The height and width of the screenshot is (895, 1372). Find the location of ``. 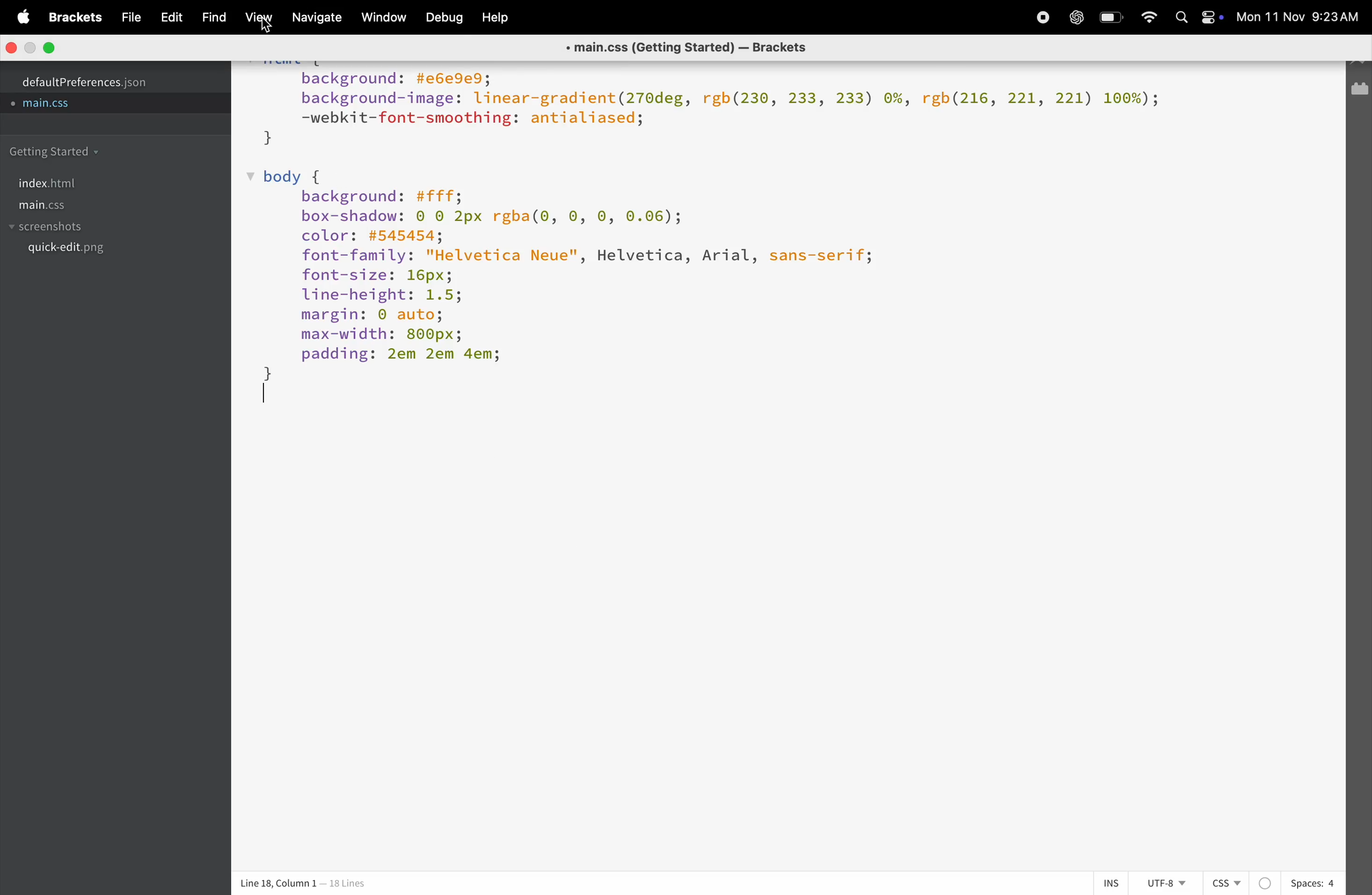

 is located at coordinates (1113, 17).